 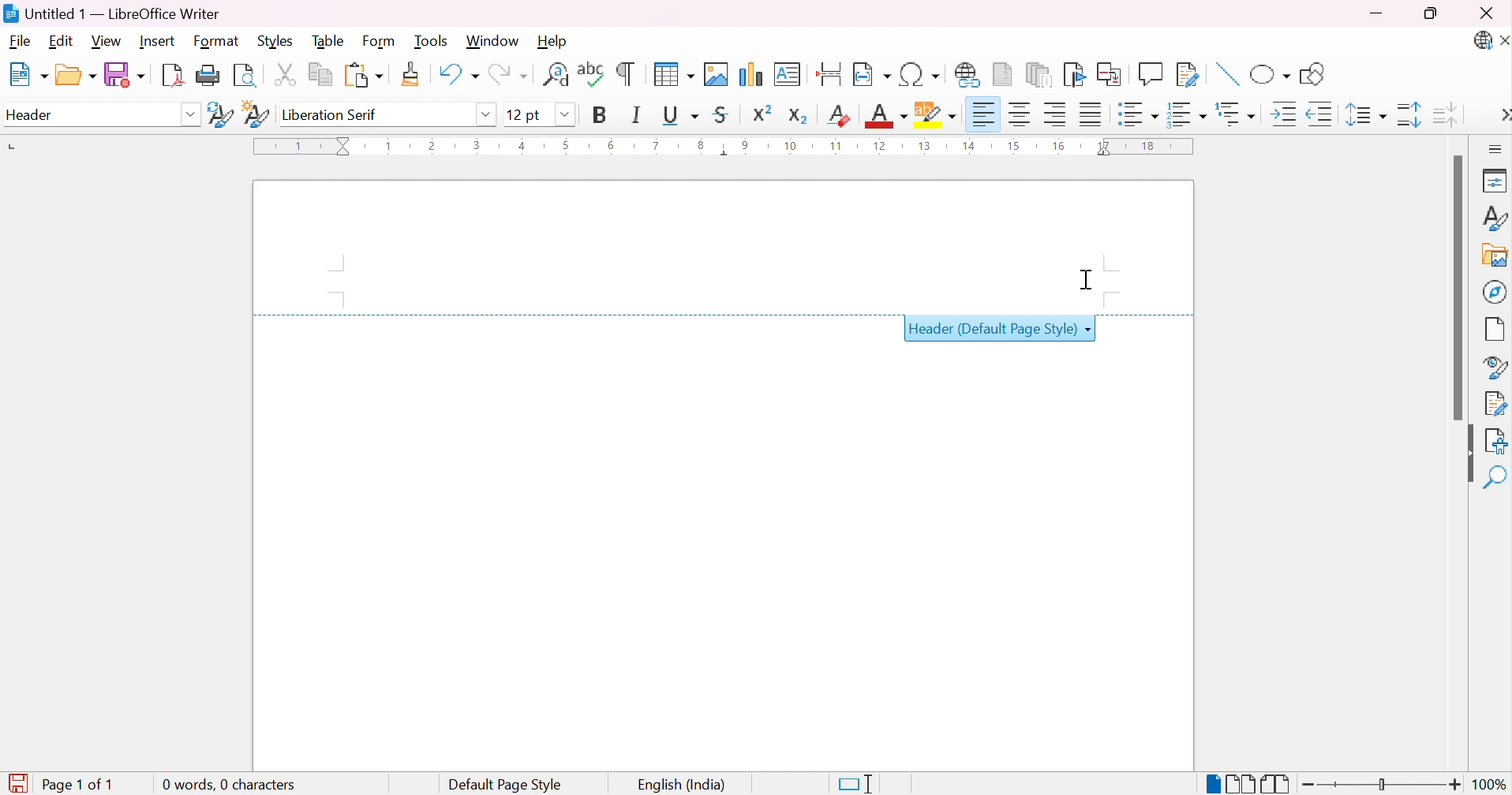 What do you see at coordinates (245, 78) in the screenshot?
I see `Toggle print preview` at bounding box center [245, 78].